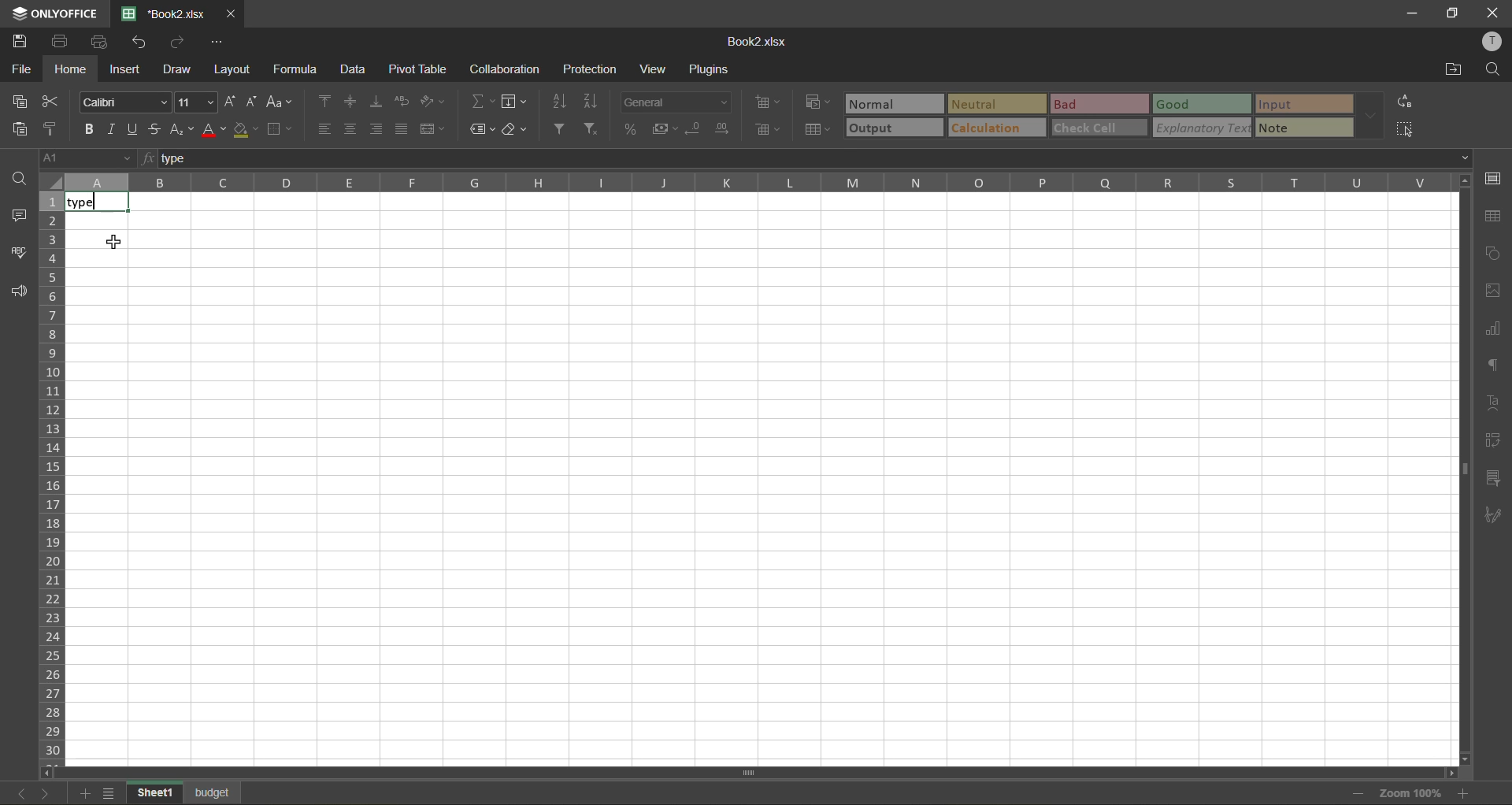 Image resolution: width=1512 pixels, height=805 pixels. I want to click on accounting, so click(665, 128).